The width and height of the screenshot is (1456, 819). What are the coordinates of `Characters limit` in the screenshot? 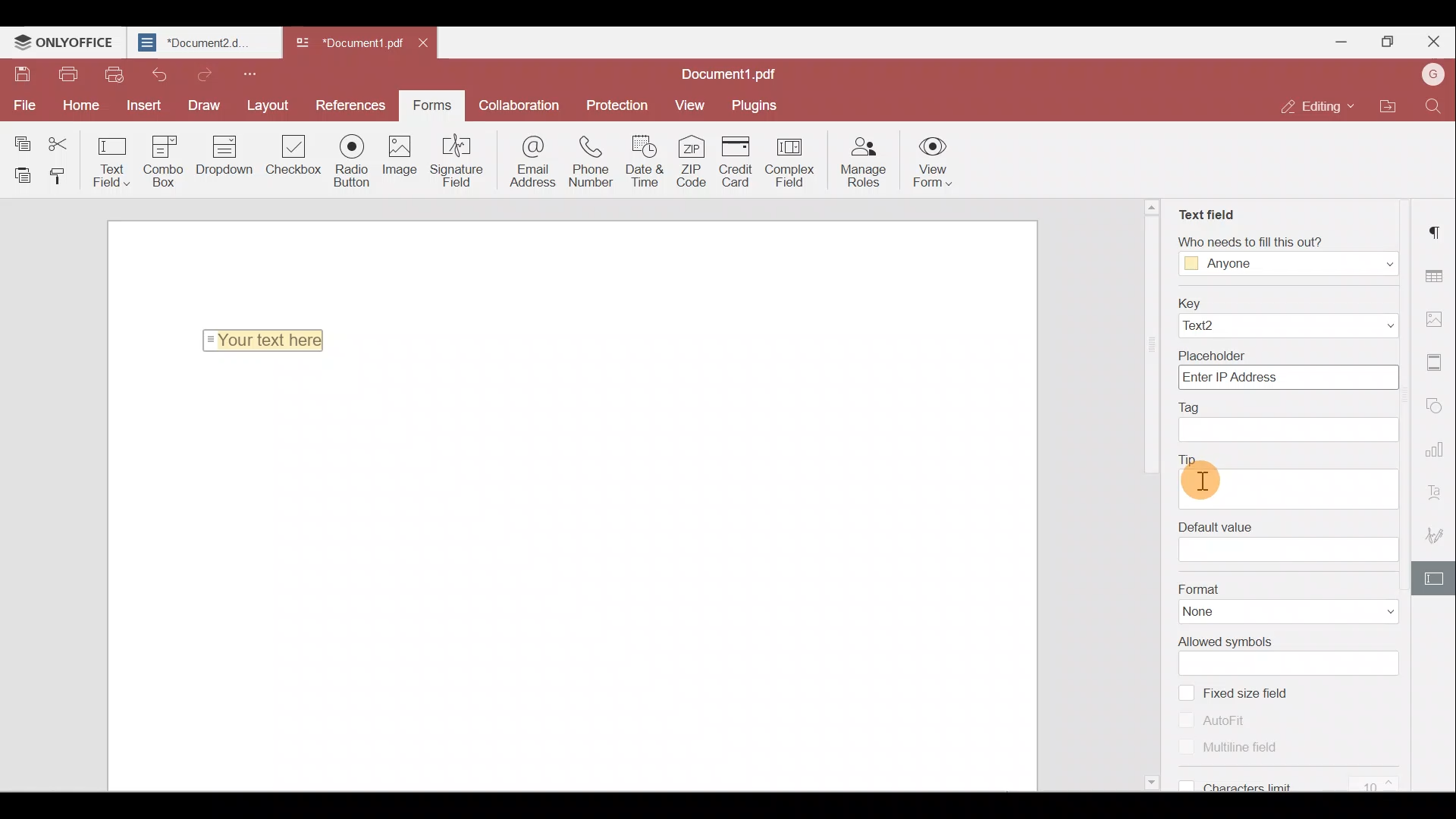 It's located at (1302, 785).